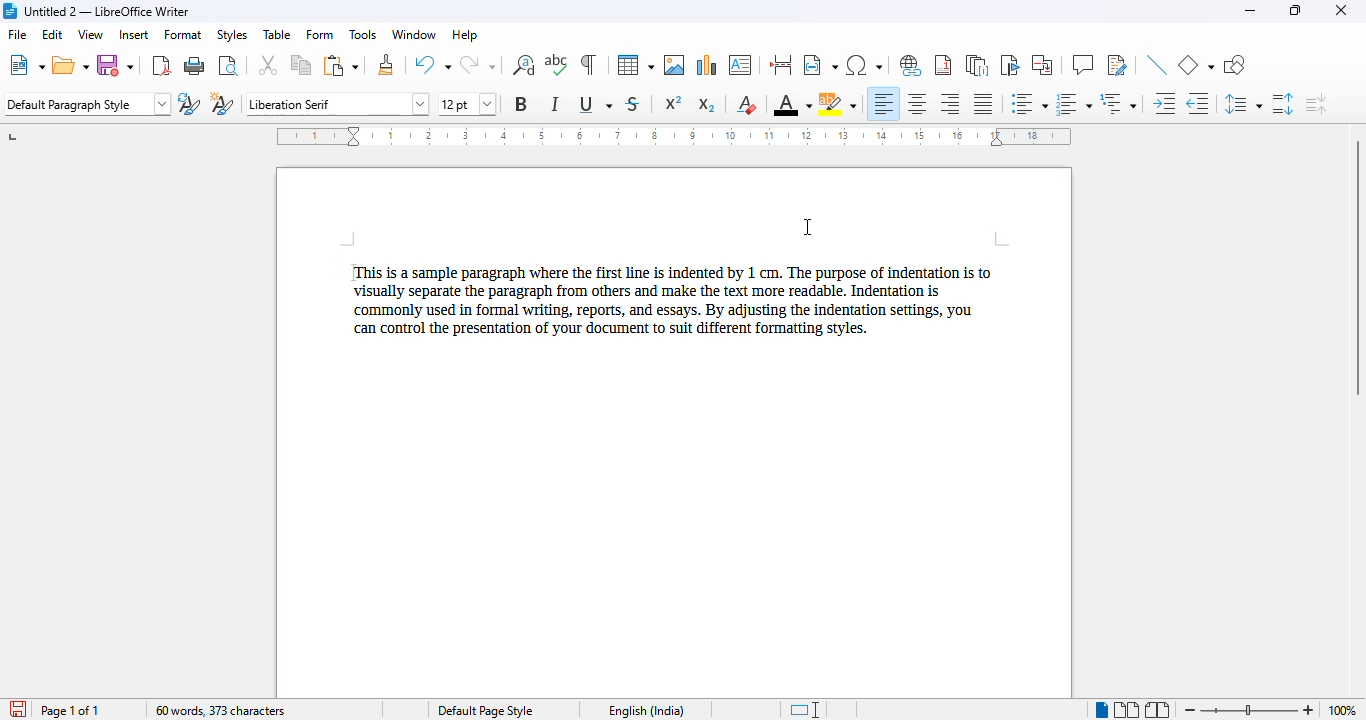 The width and height of the screenshot is (1366, 720). I want to click on format, so click(183, 34).